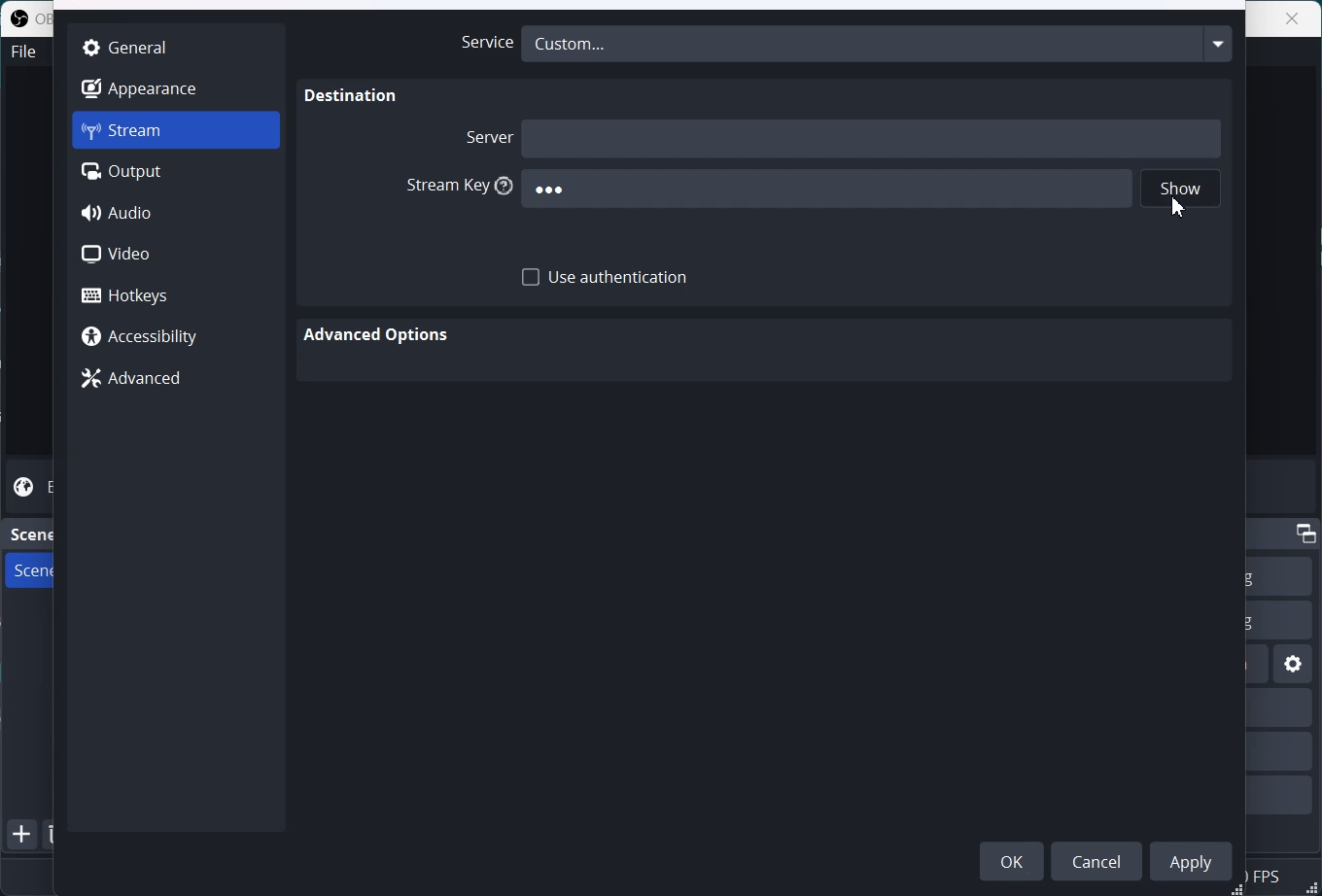  What do you see at coordinates (486, 136) in the screenshot?
I see `Server` at bounding box center [486, 136].